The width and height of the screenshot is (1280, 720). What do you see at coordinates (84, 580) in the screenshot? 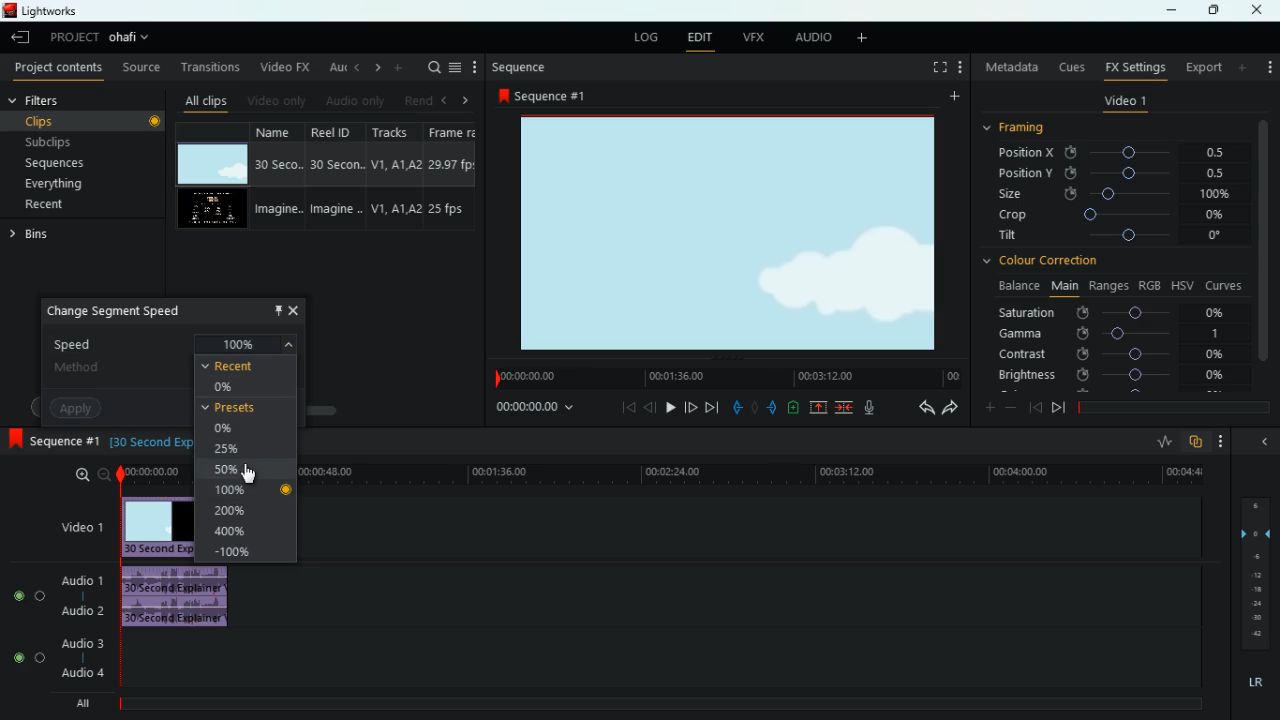
I see `audio 1` at bounding box center [84, 580].